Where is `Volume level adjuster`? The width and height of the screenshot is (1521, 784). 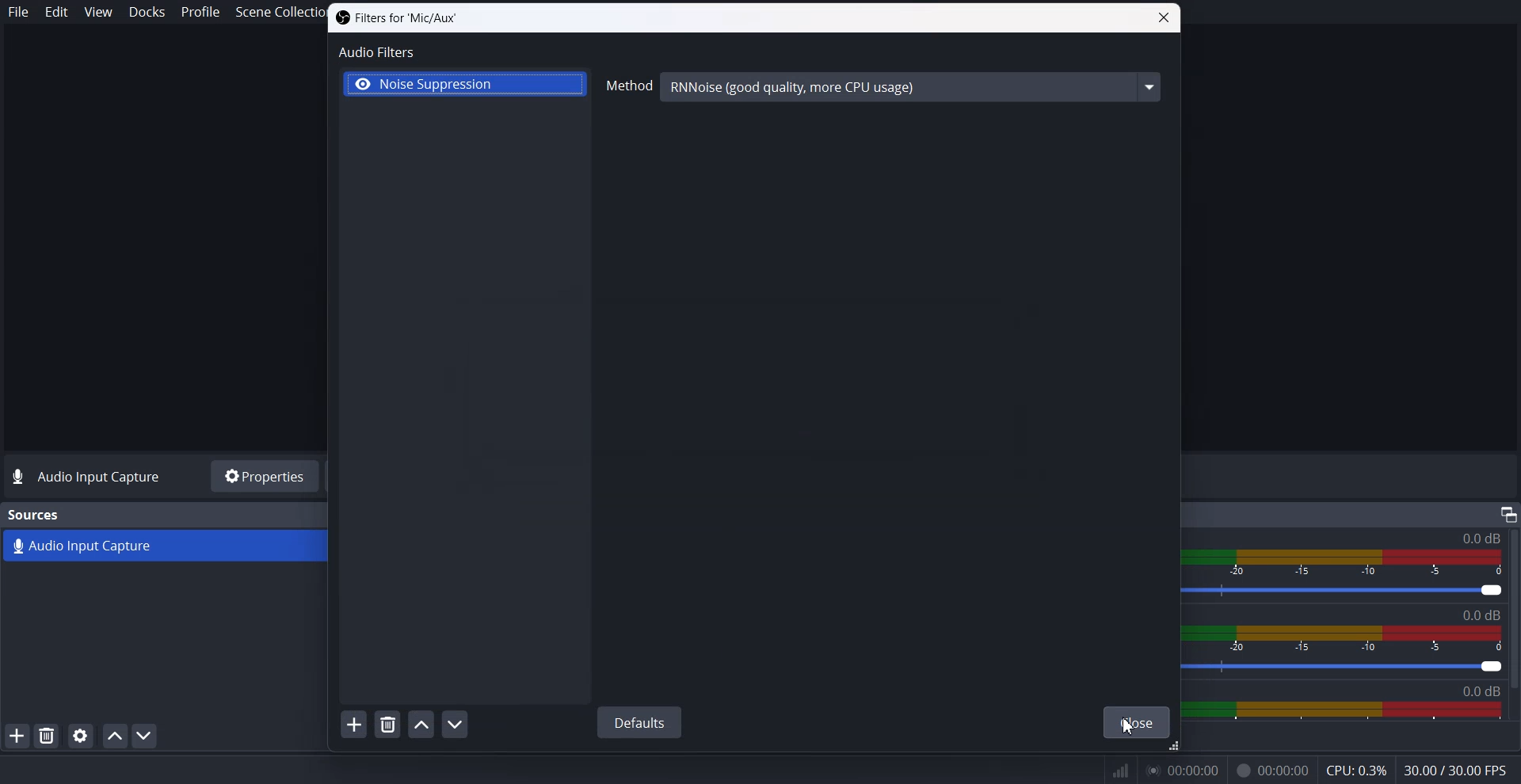 Volume level adjuster is located at coordinates (1351, 668).